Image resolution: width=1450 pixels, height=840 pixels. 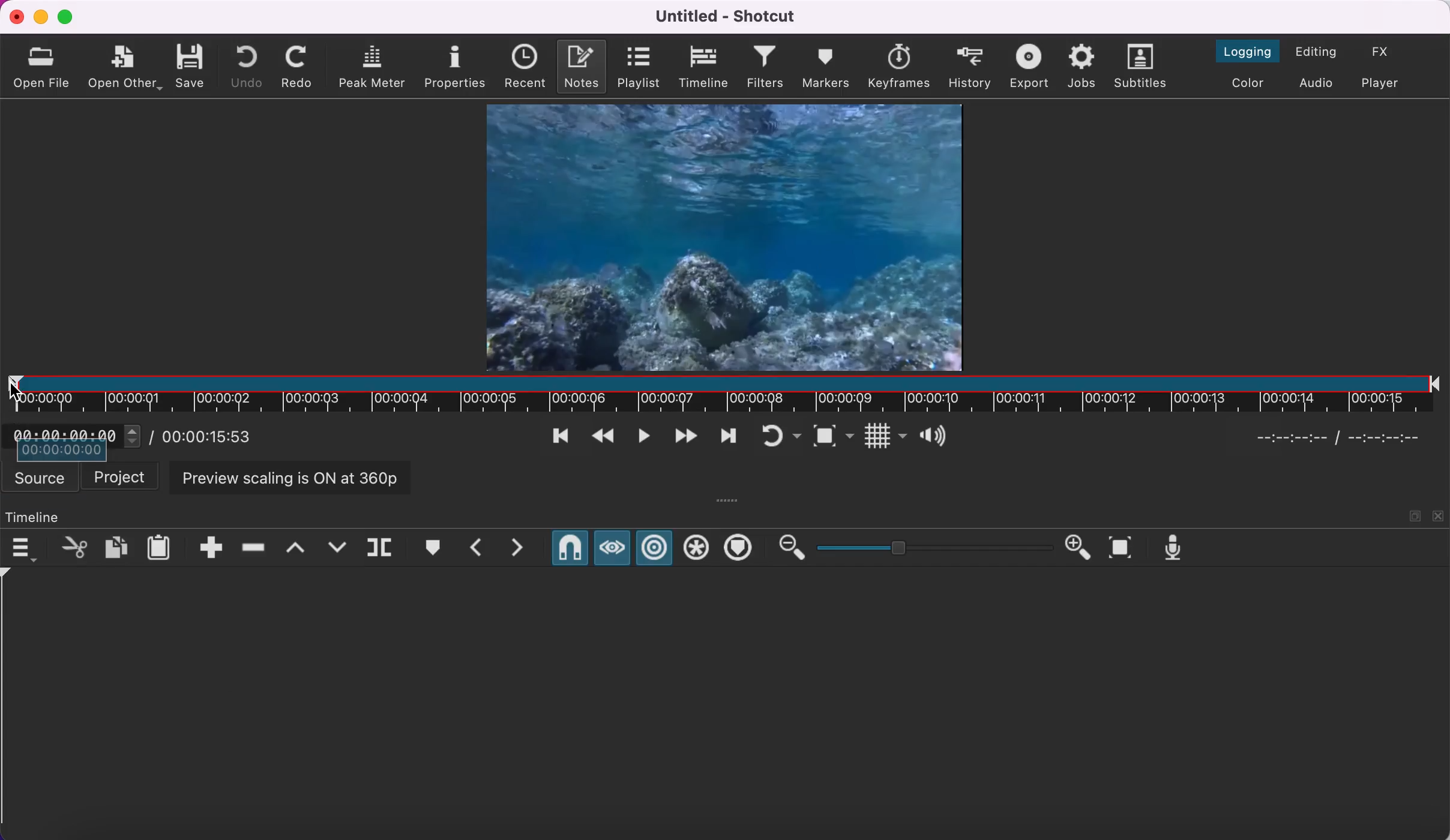 What do you see at coordinates (831, 436) in the screenshot?
I see `` at bounding box center [831, 436].